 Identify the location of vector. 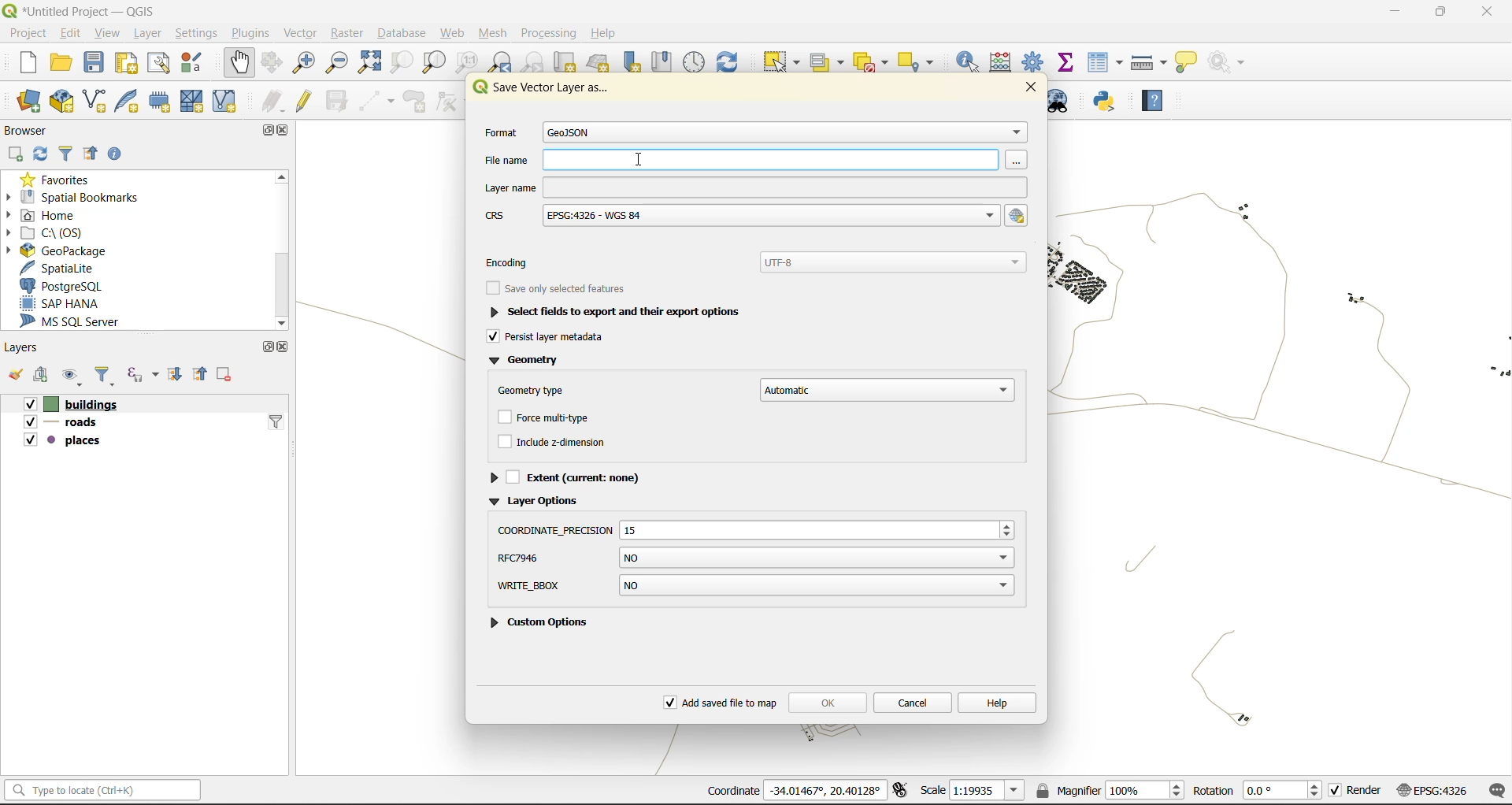
(306, 35).